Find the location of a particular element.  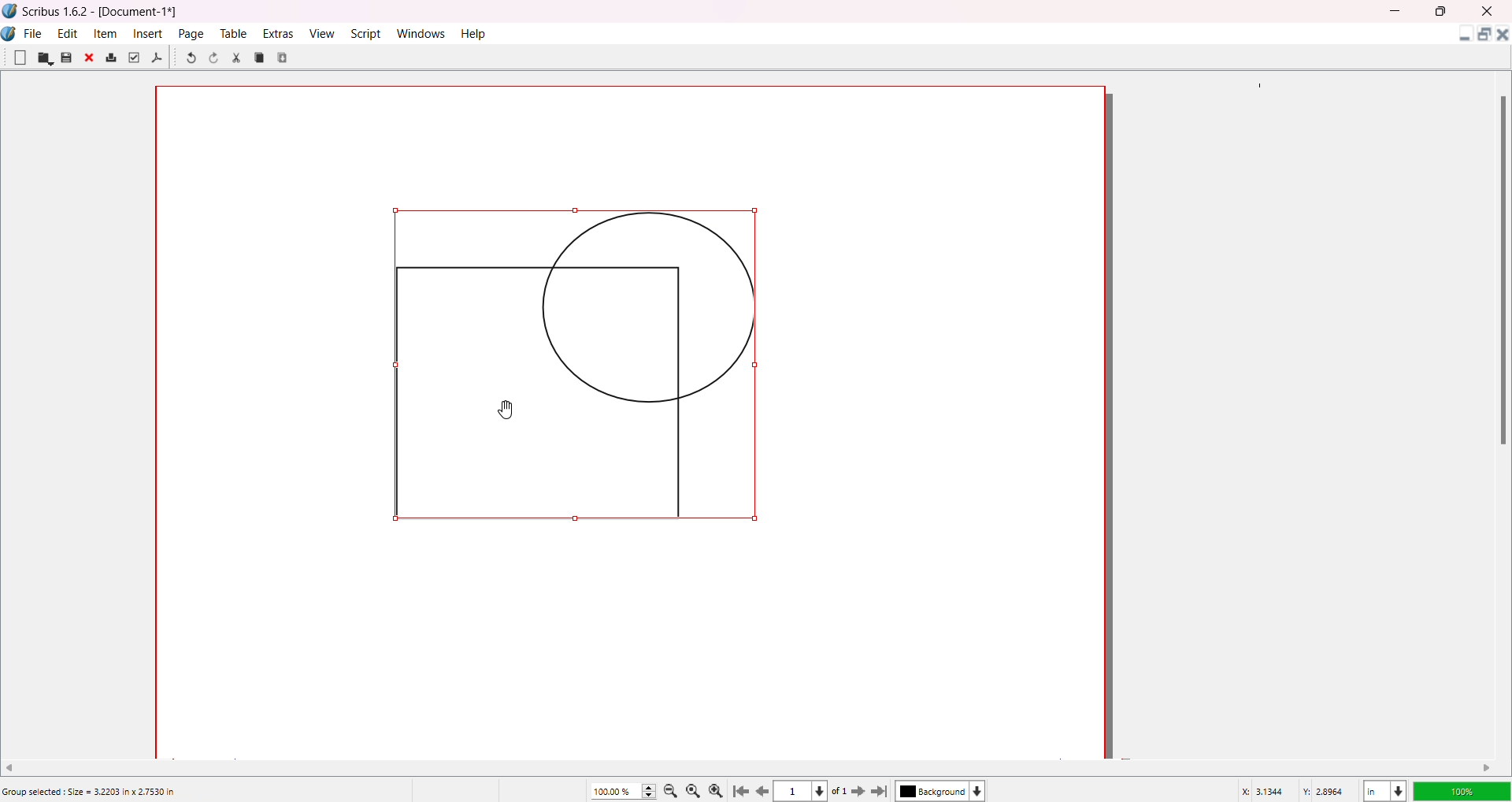

Latitude/Longitude is located at coordinates (1295, 790).